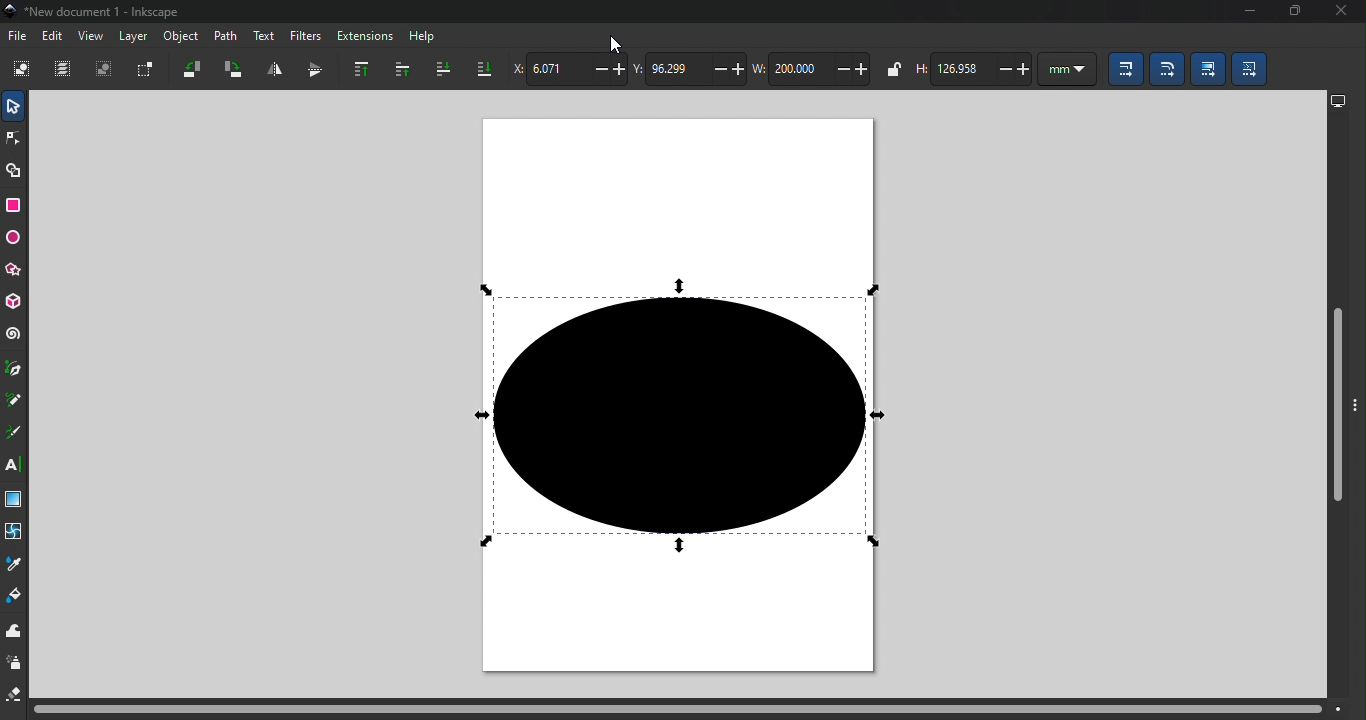 The width and height of the screenshot is (1366, 720). What do you see at coordinates (420, 34) in the screenshot?
I see `Help` at bounding box center [420, 34].